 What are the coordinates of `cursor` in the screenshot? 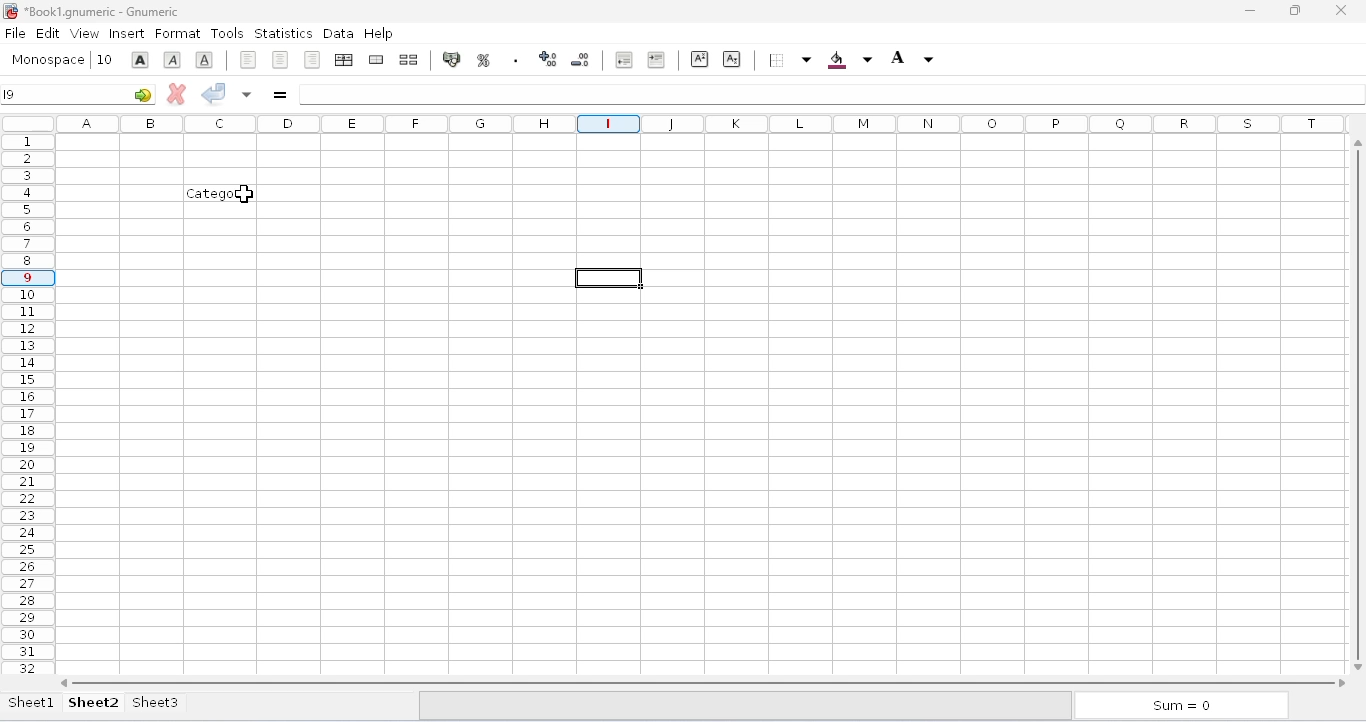 It's located at (244, 194).